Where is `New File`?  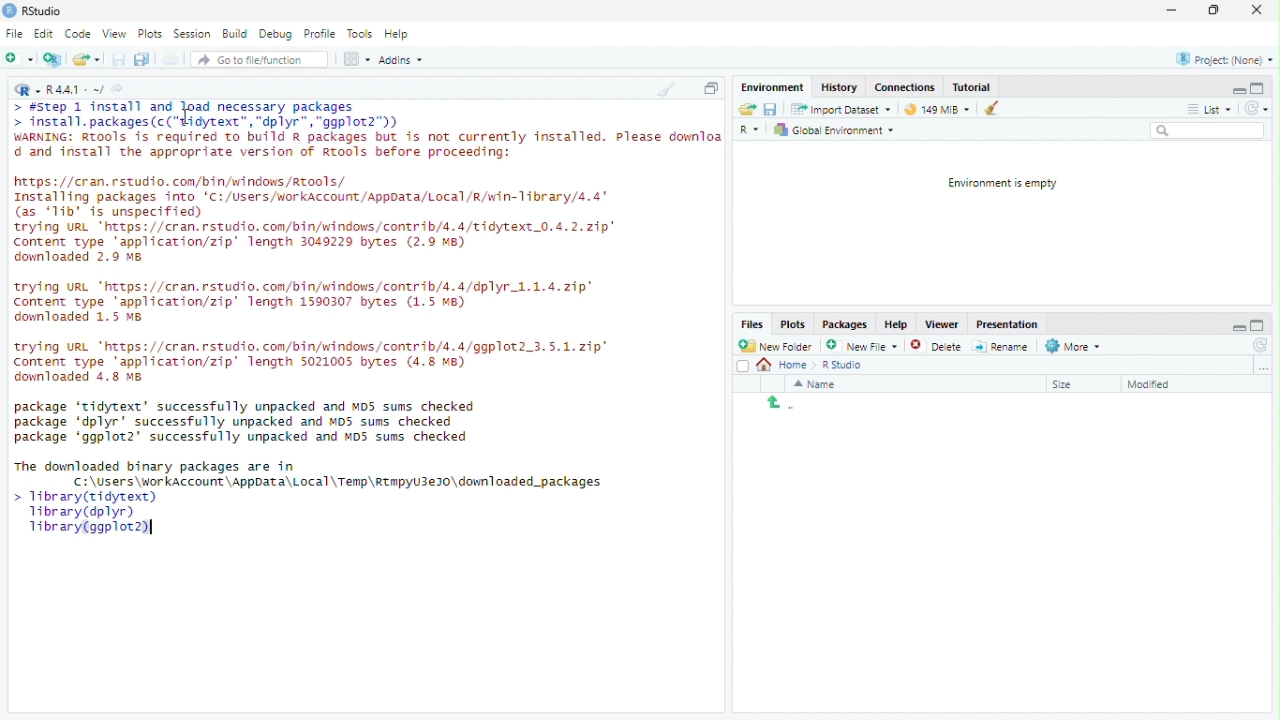 New File is located at coordinates (860, 345).